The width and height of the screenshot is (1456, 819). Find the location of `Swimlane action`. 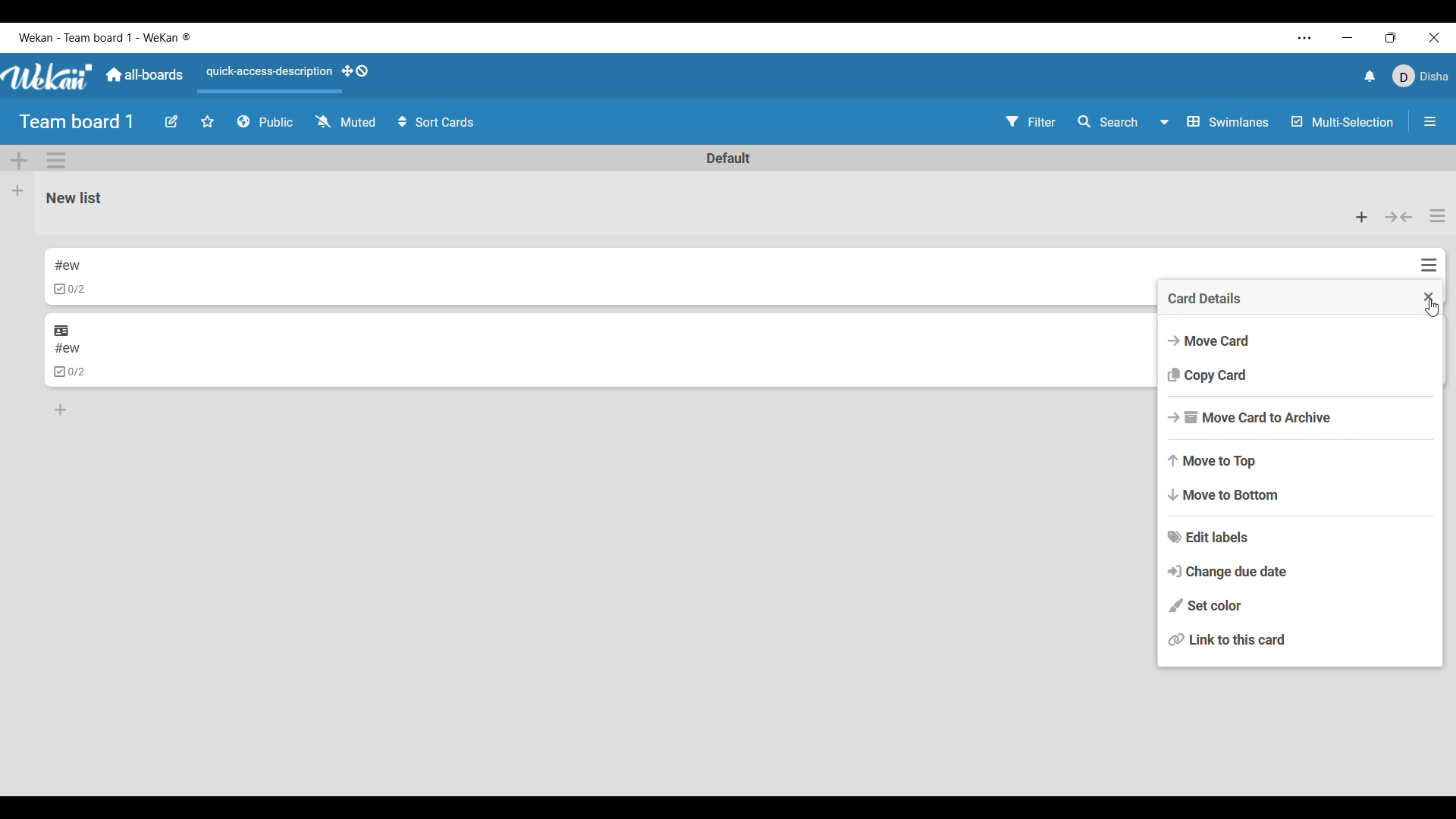

Swimlane action is located at coordinates (55, 160).